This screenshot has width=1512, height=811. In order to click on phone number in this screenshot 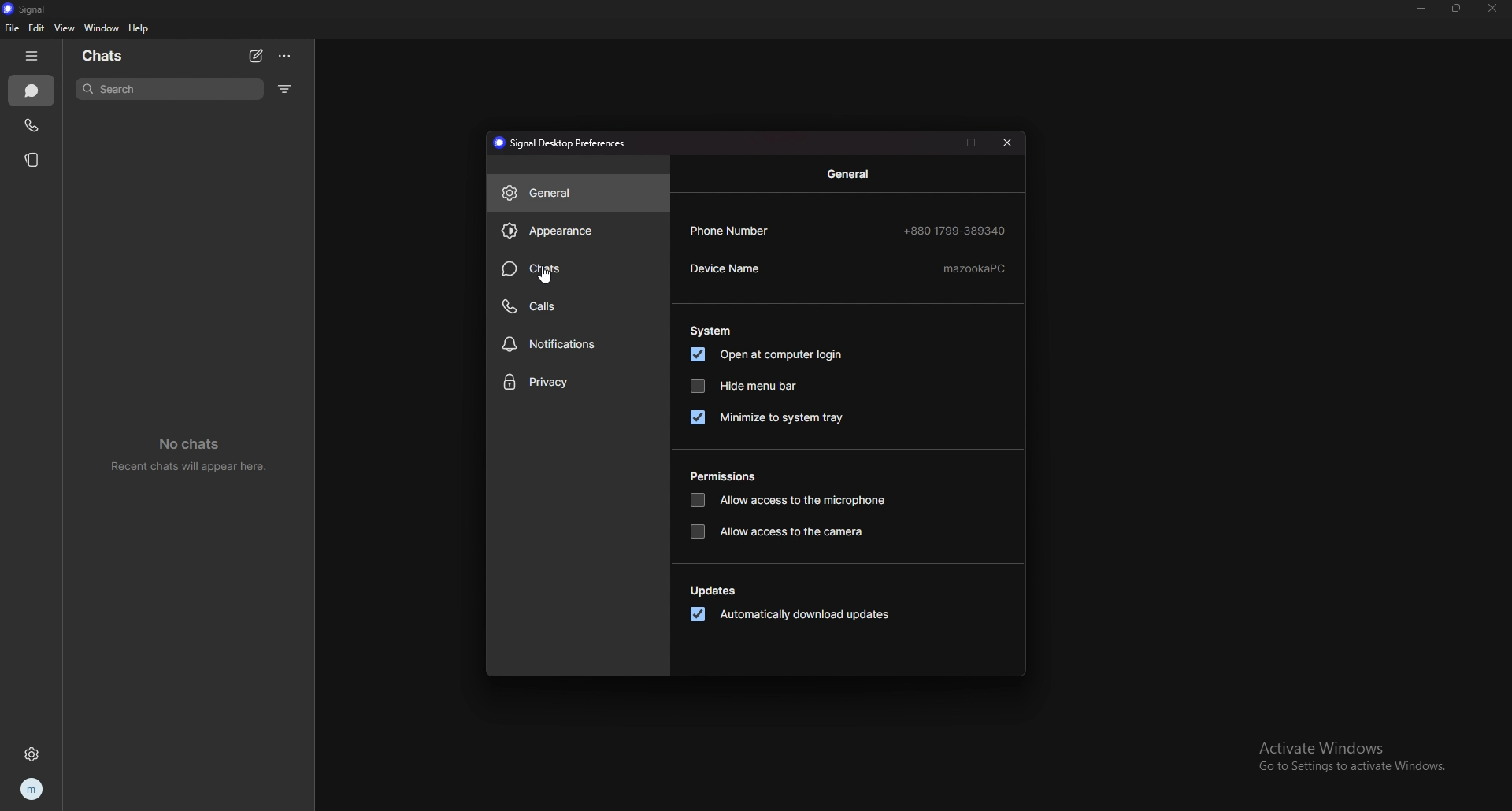, I will do `click(735, 230)`.